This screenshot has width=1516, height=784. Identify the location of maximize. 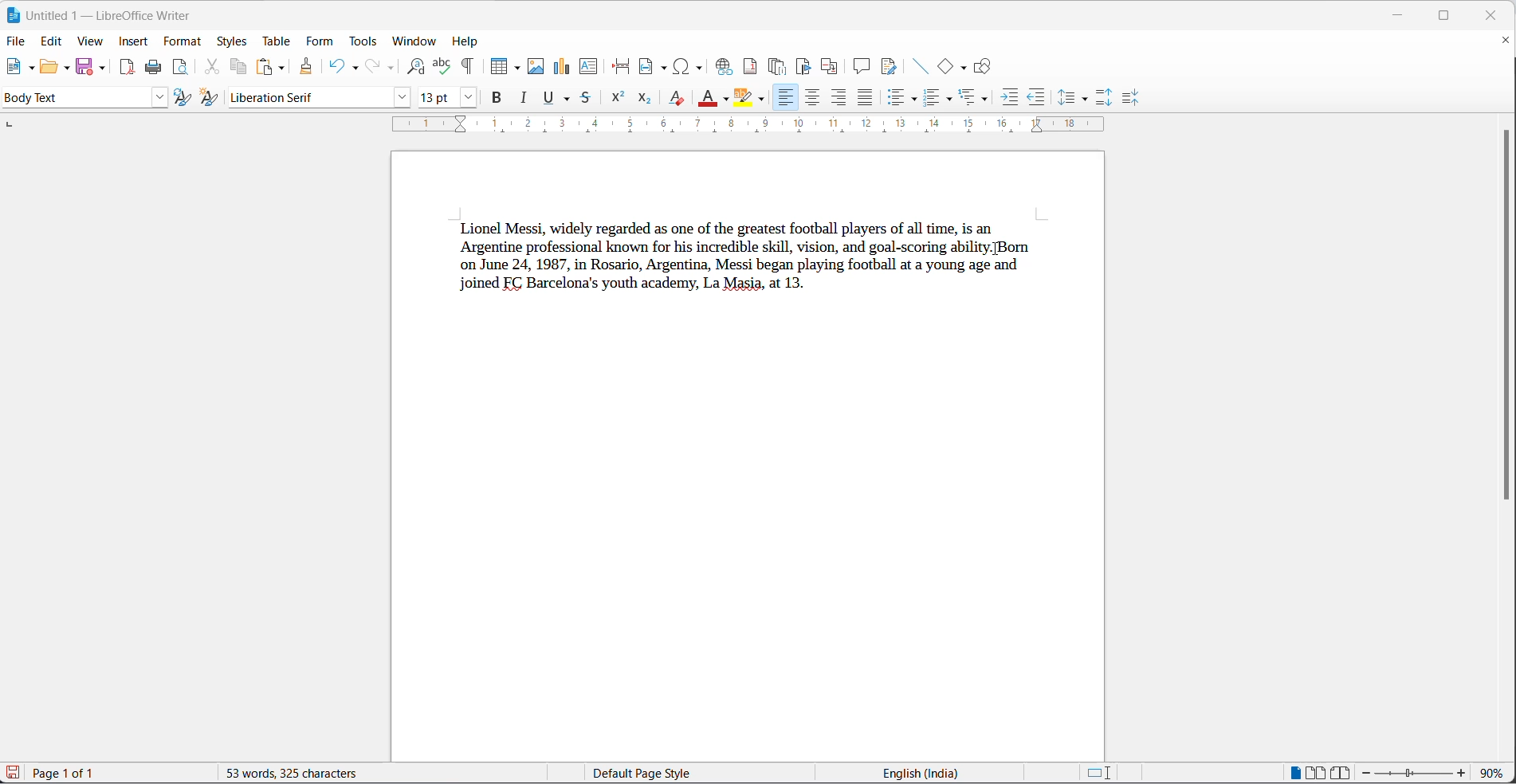
(1448, 16).